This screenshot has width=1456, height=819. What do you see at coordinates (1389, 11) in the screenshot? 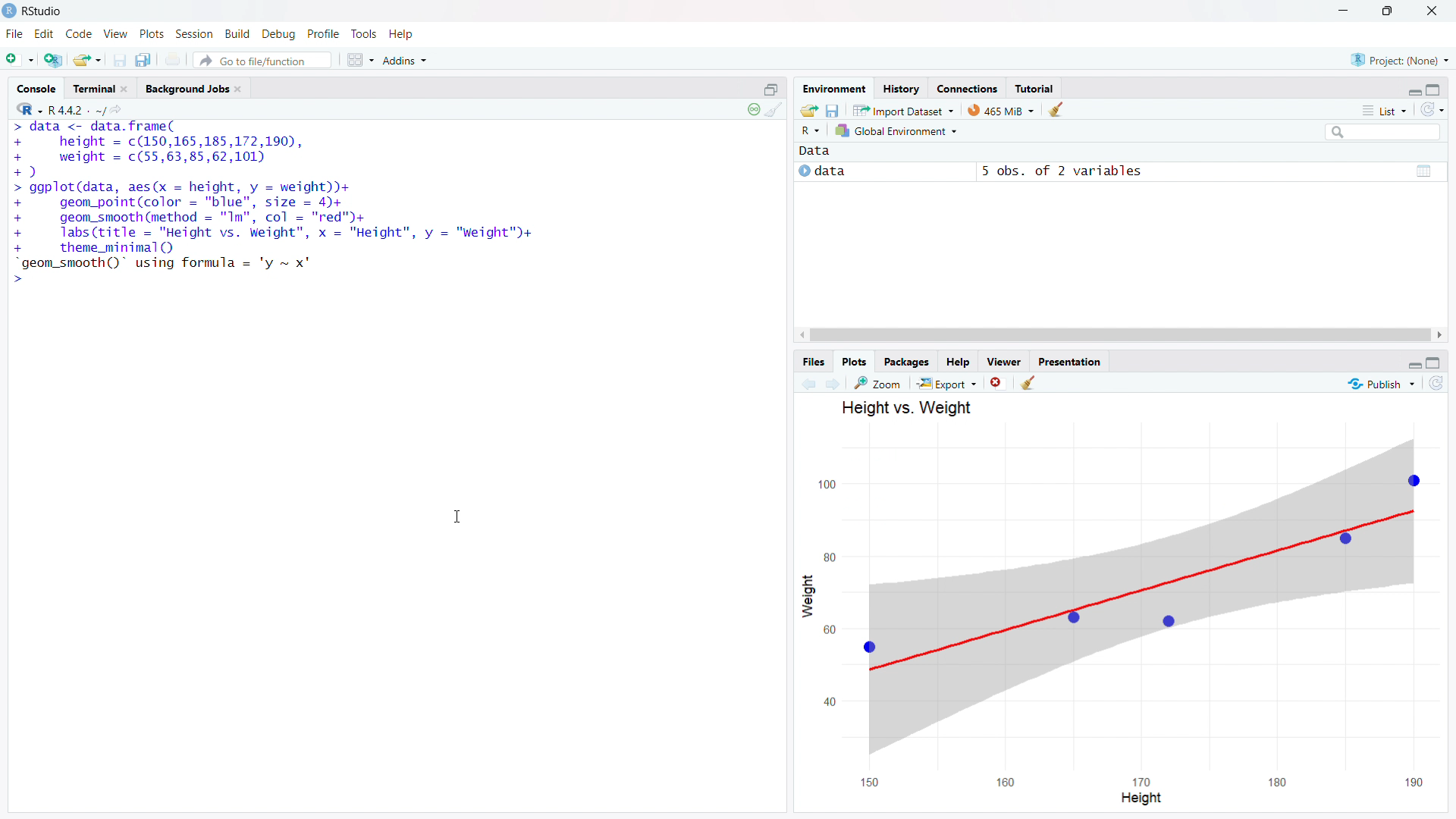
I see `maximize` at bounding box center [1389, 11].